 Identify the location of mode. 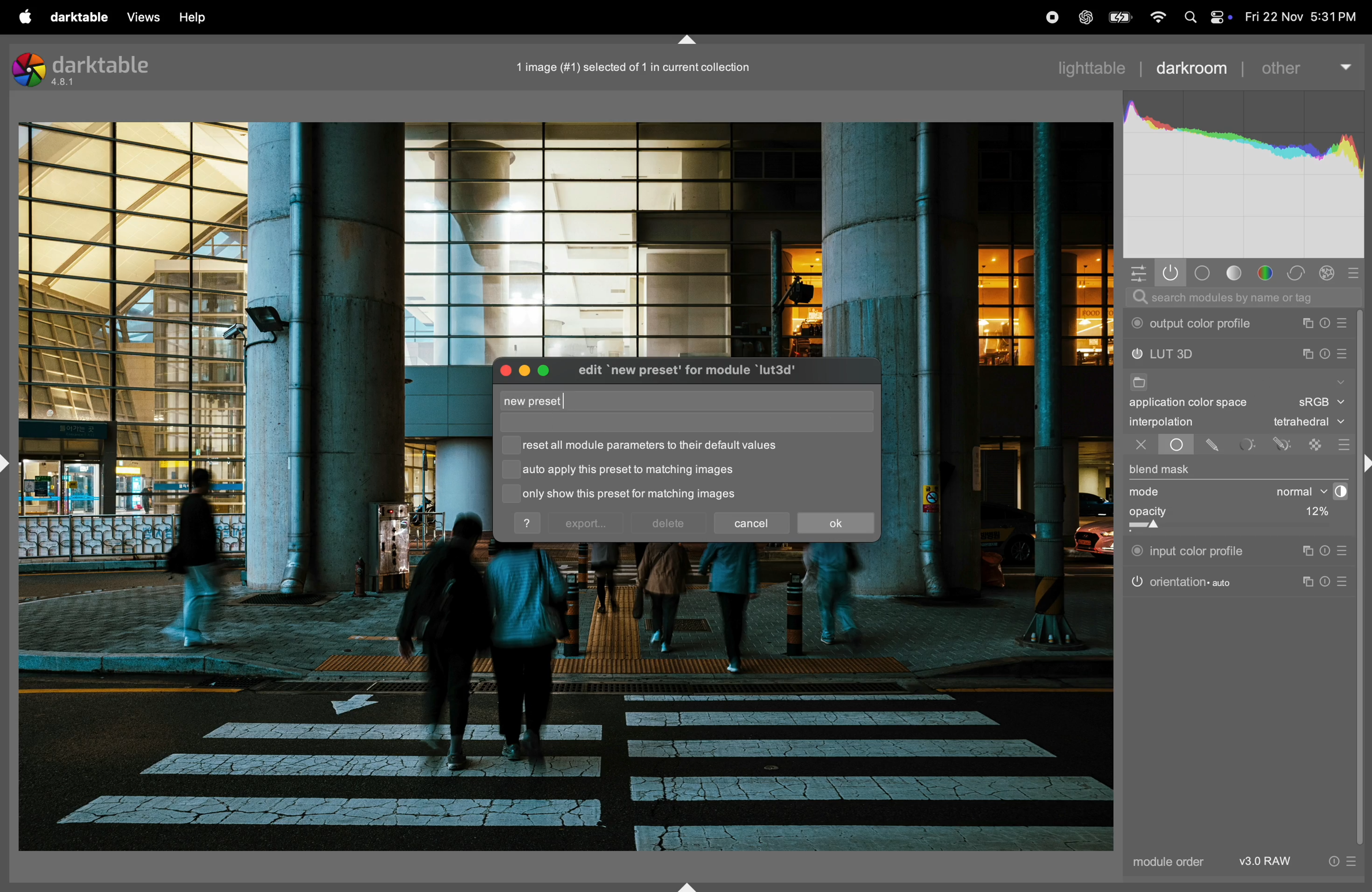
(1148, 493).